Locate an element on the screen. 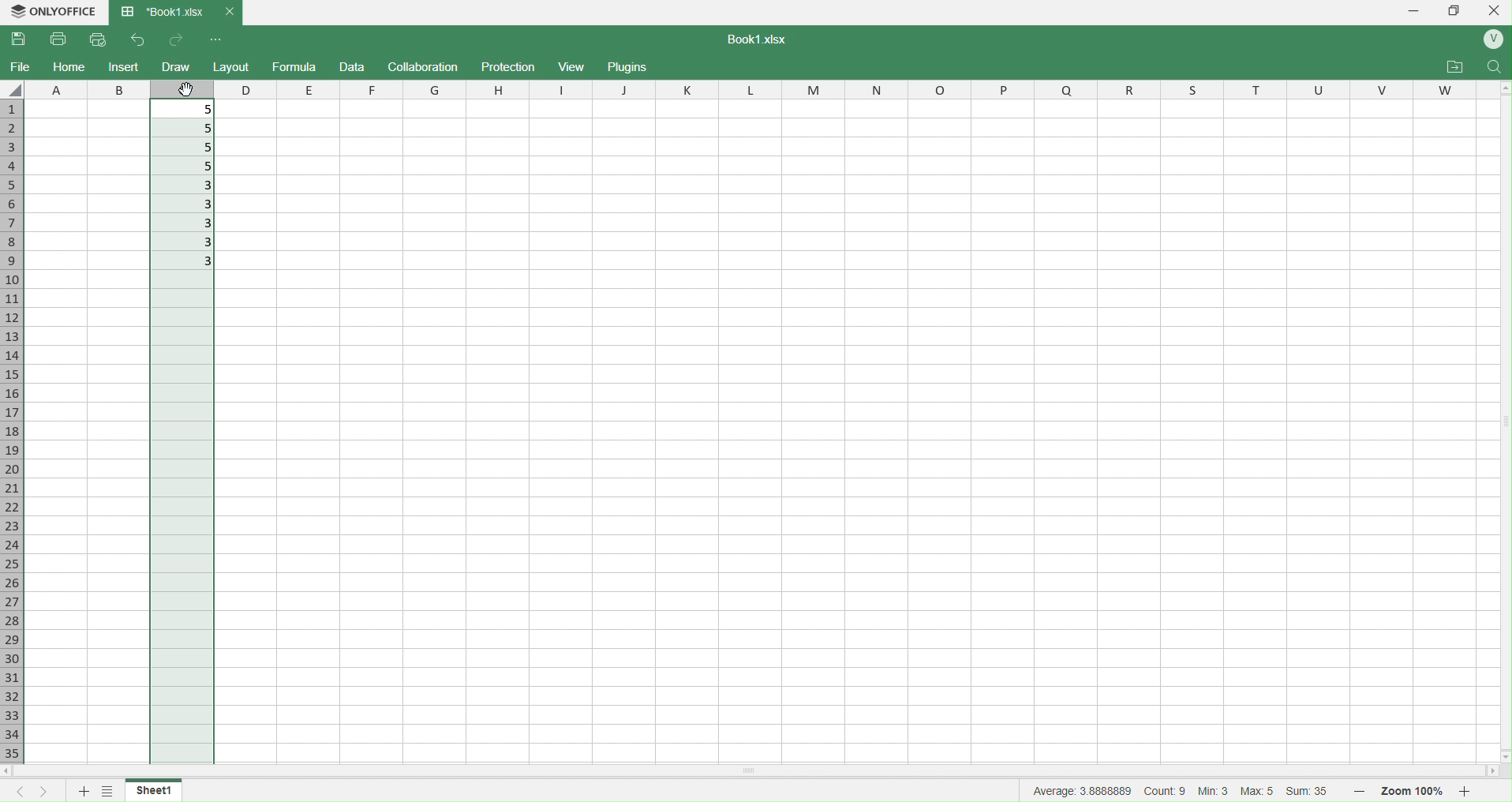 The height and width of the screenshot is (802, 1512). Minimize is located at coordinates (1415, 11).